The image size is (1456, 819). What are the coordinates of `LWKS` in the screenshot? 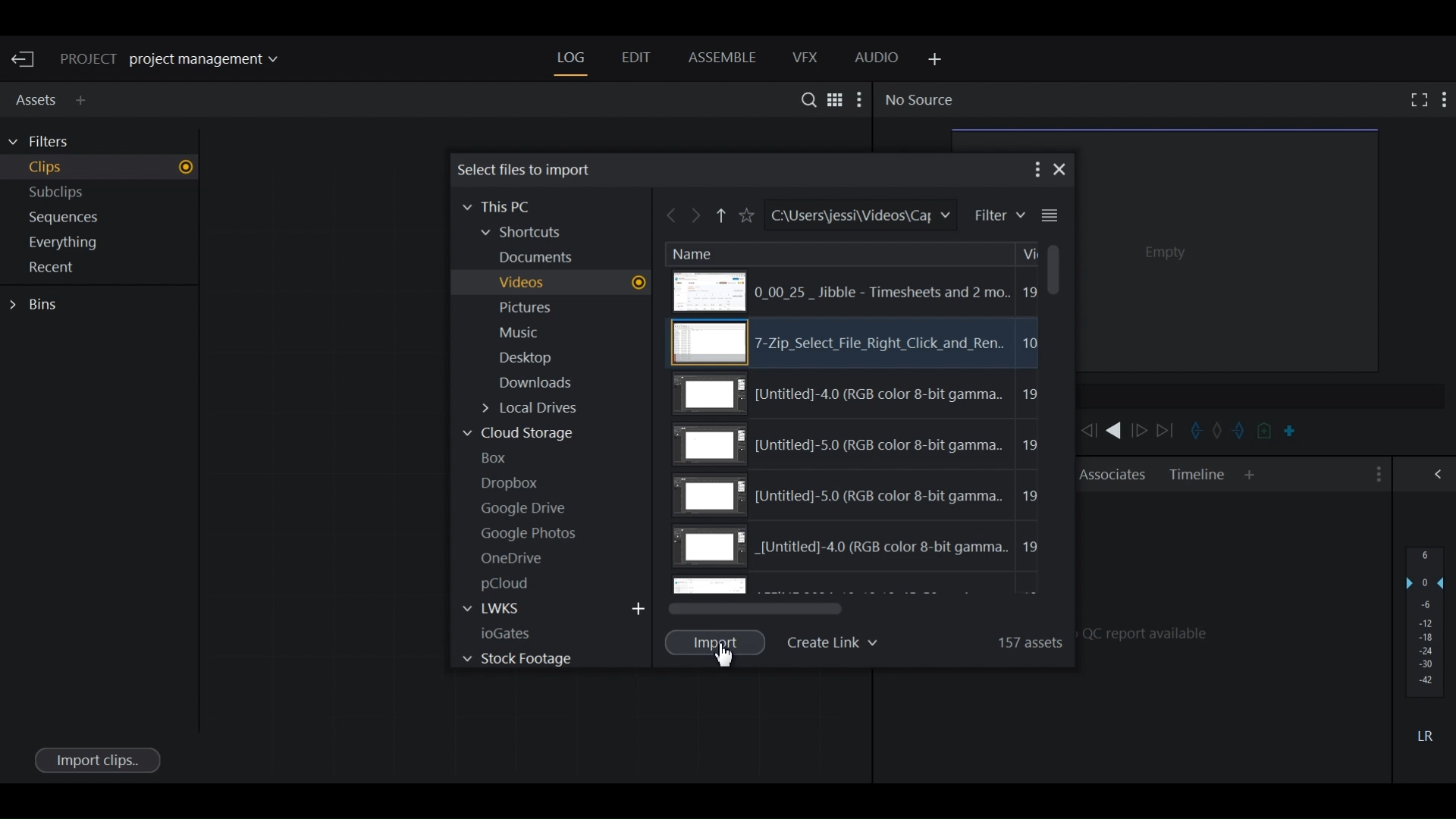 It's located at (504, 609).